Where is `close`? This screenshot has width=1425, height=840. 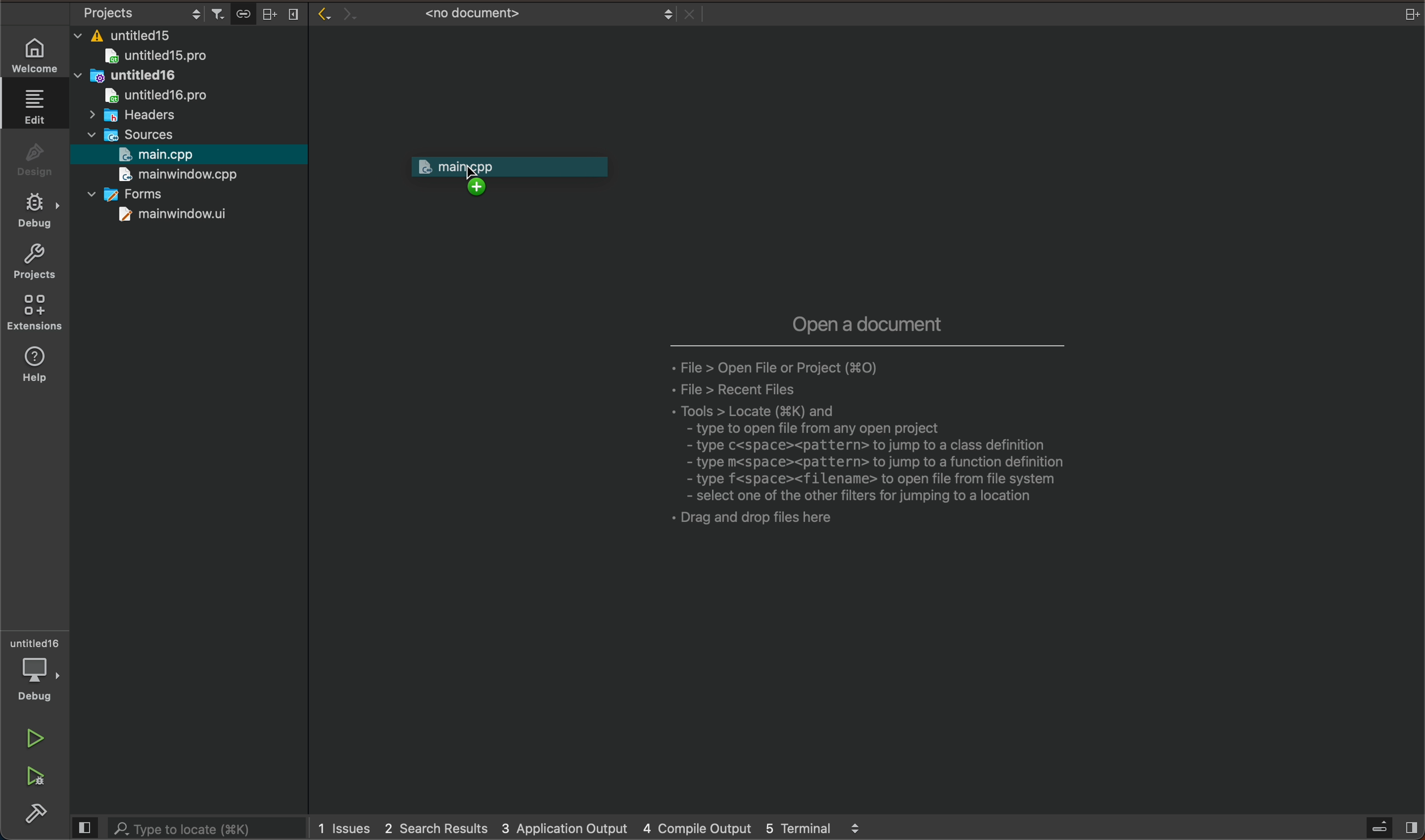
close is located at coordinates (296, 15).